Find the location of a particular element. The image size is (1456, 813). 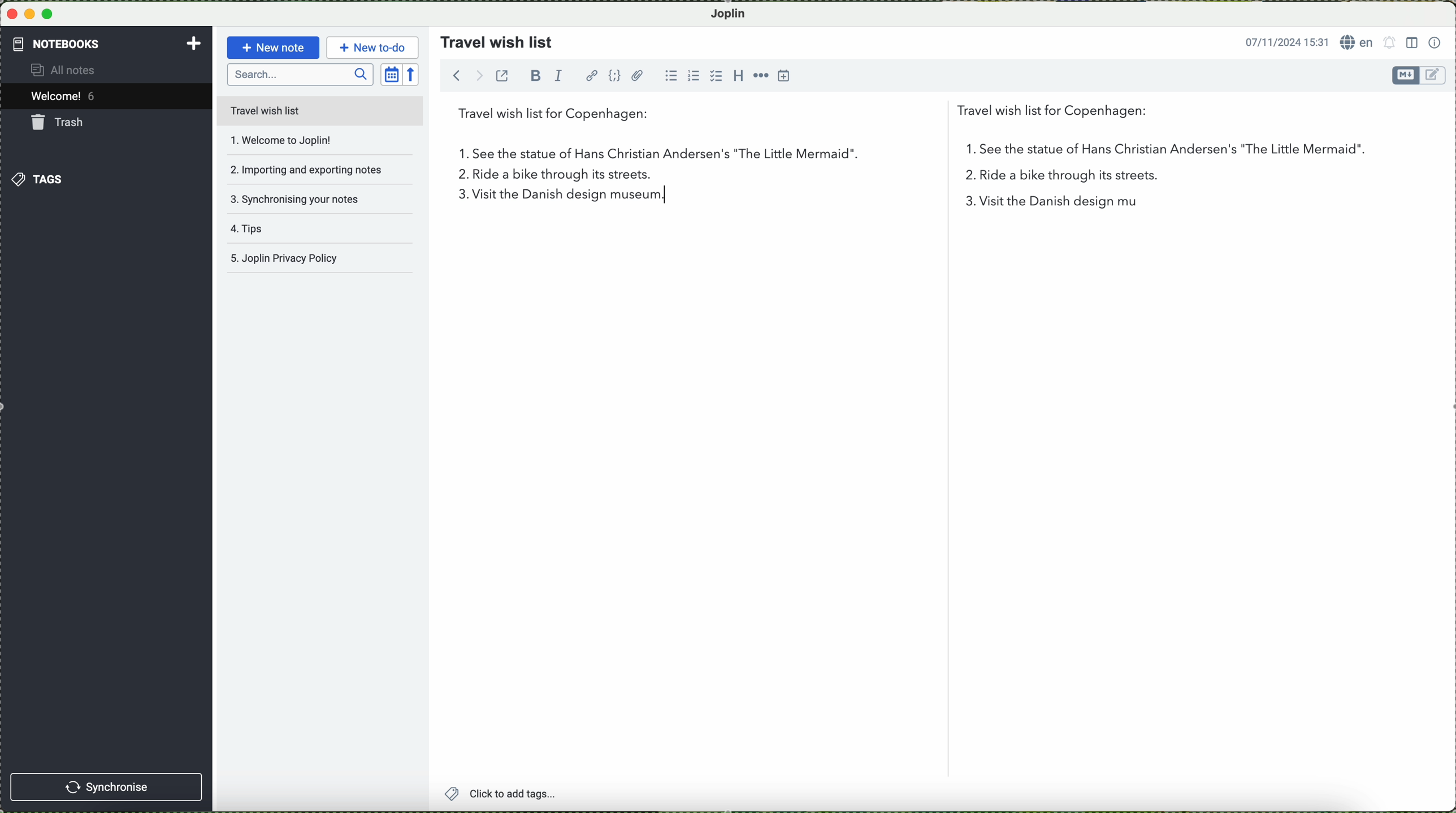

all notes is located at coordinates (73, 71).